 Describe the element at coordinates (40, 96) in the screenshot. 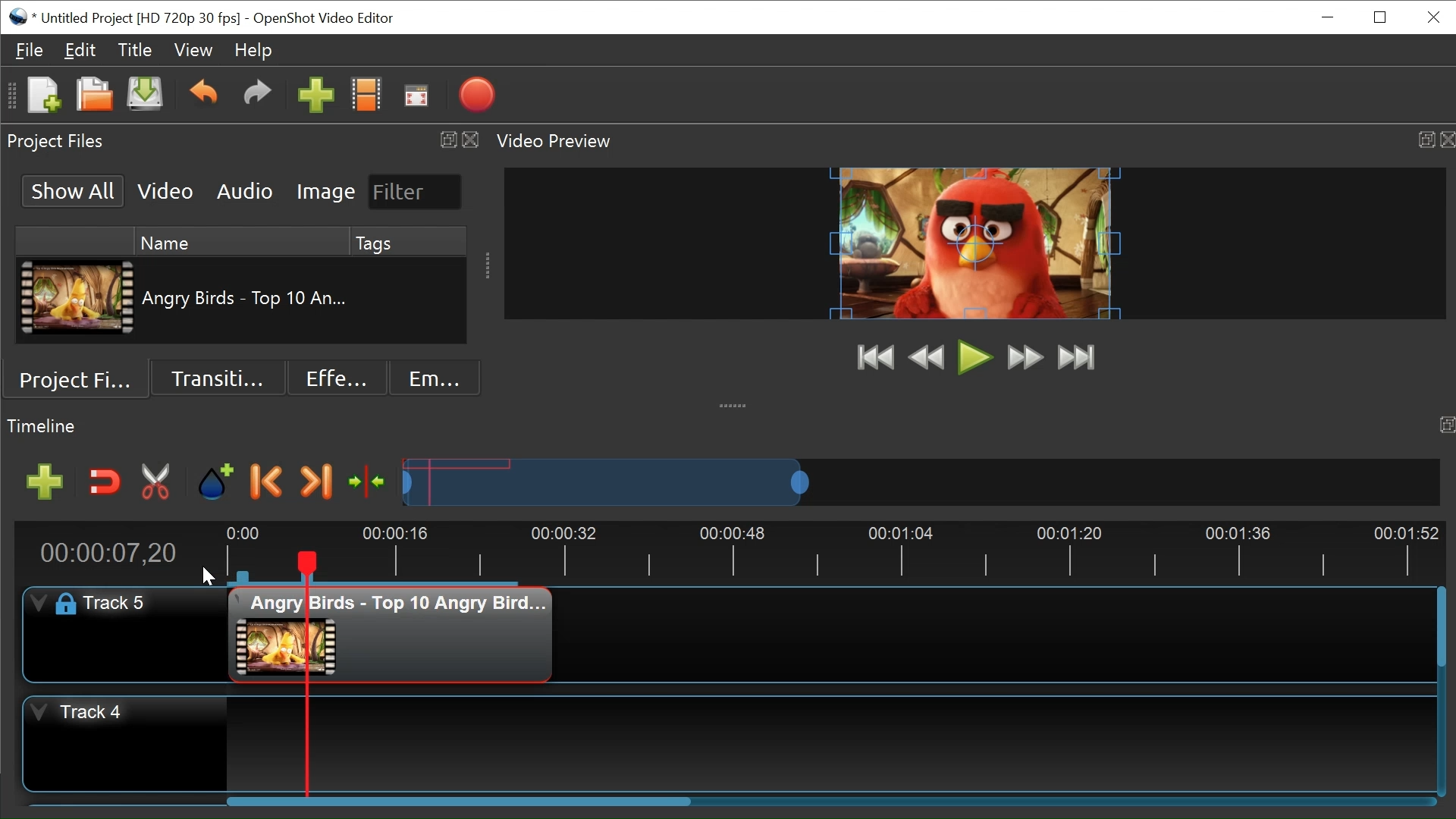

I see `New File` at that location.